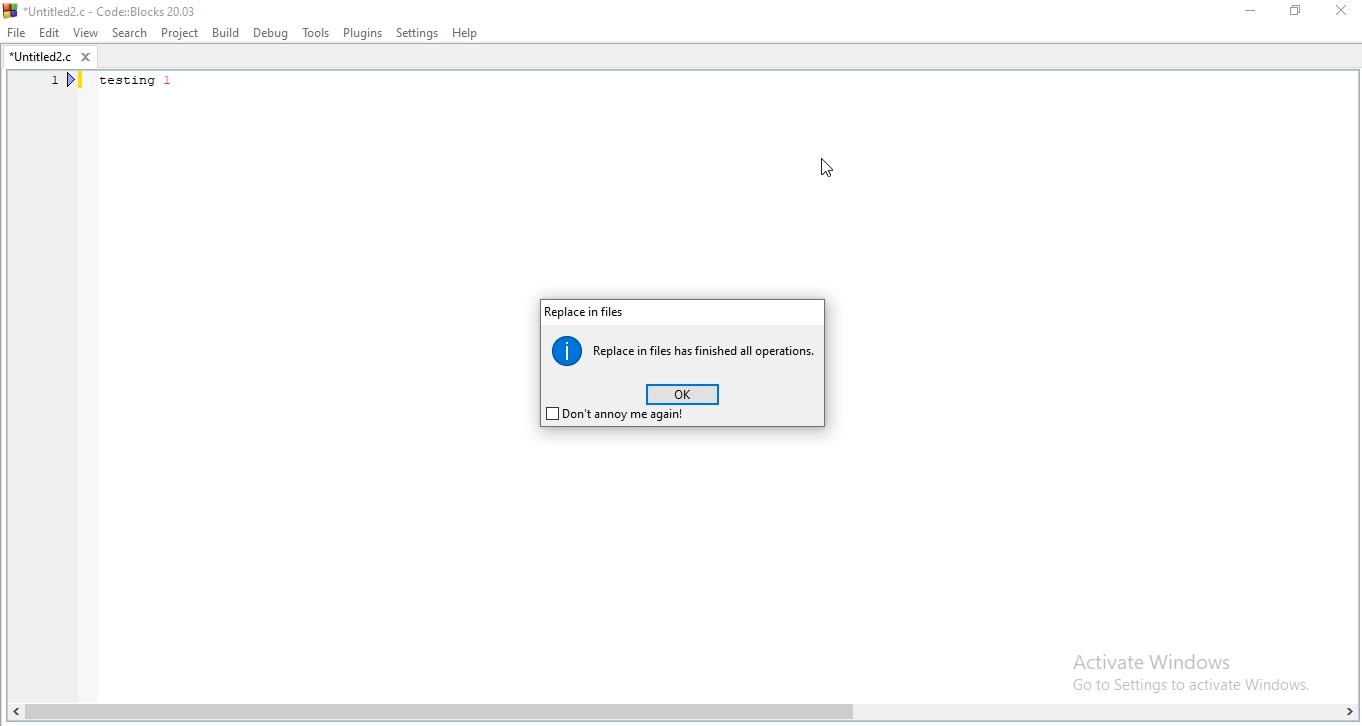 The width and height of the screenshot is (1362, 726). I want to click on testing 2, so click(140, 83).